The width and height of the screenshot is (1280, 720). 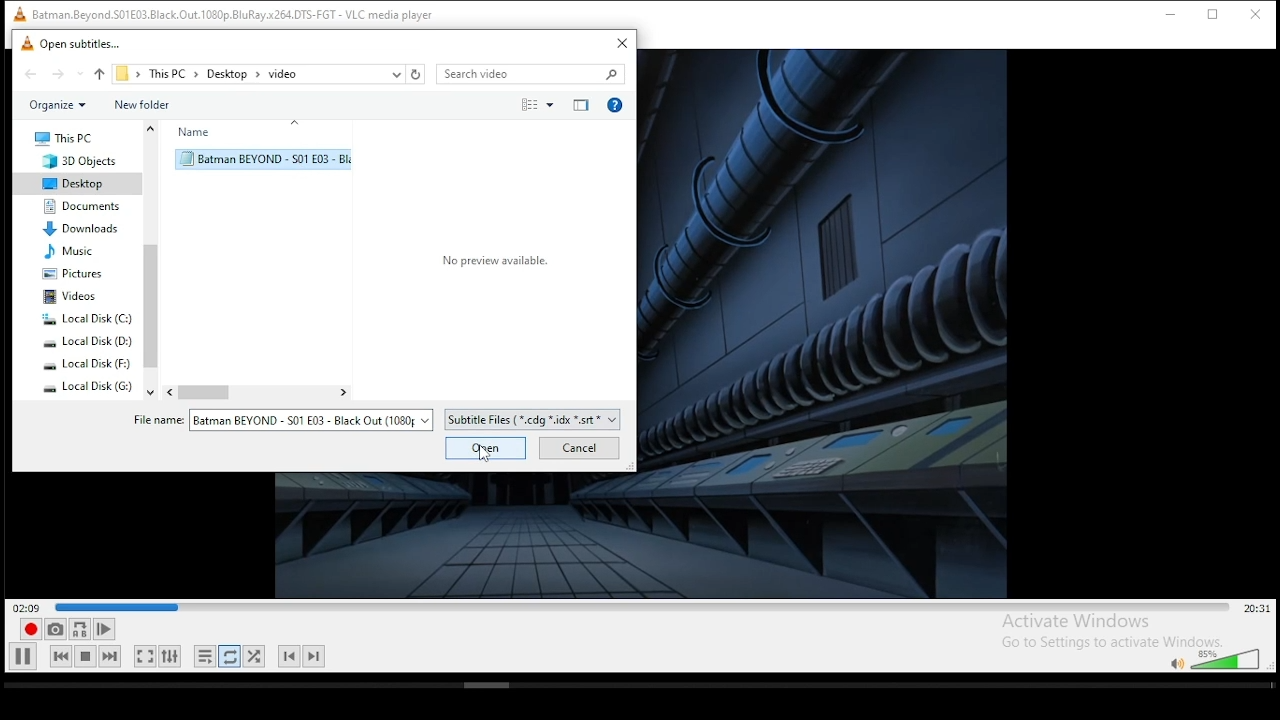 What do you see at coordinates (1176, 663) in the screenshot?
I see `mute/unmute` at bounding box center [1176, 663].